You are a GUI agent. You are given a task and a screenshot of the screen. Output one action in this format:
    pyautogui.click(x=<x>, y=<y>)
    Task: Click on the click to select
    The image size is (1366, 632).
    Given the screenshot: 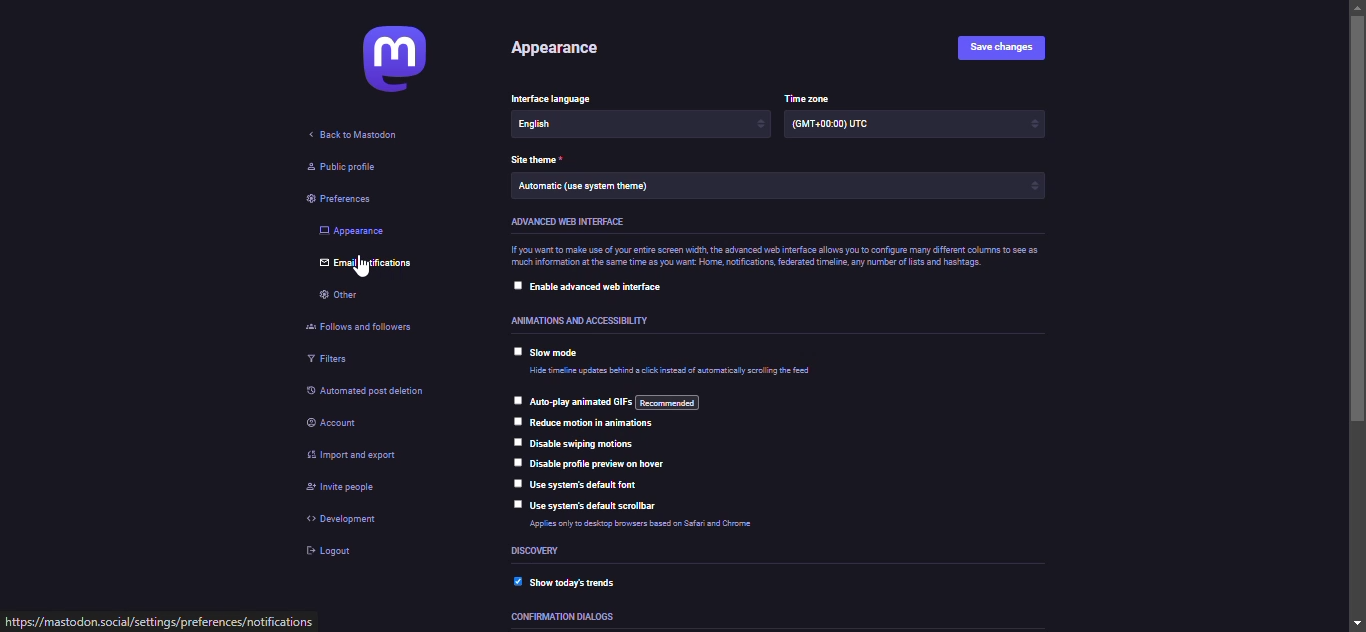 What is the action you would take?
    pyautogui.click(x=514, y=483)
    